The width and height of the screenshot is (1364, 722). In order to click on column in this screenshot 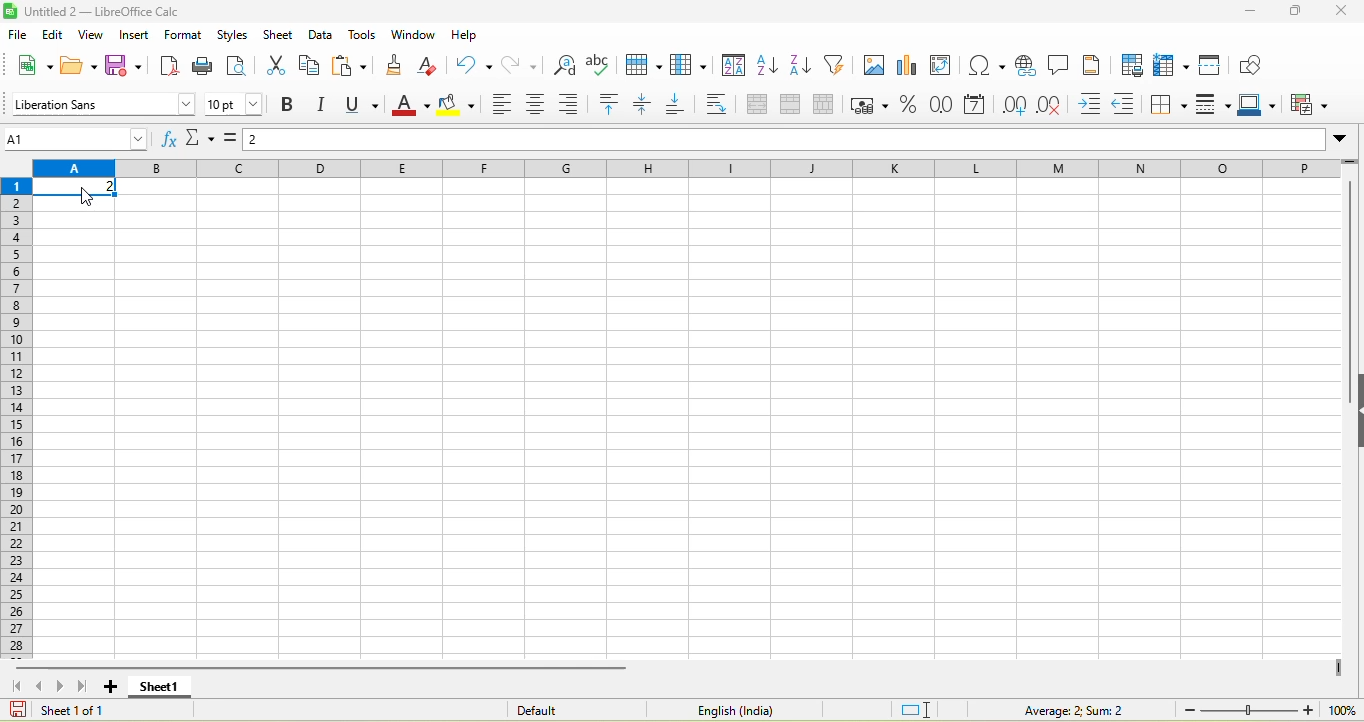, I will do `click(692, 66)`.